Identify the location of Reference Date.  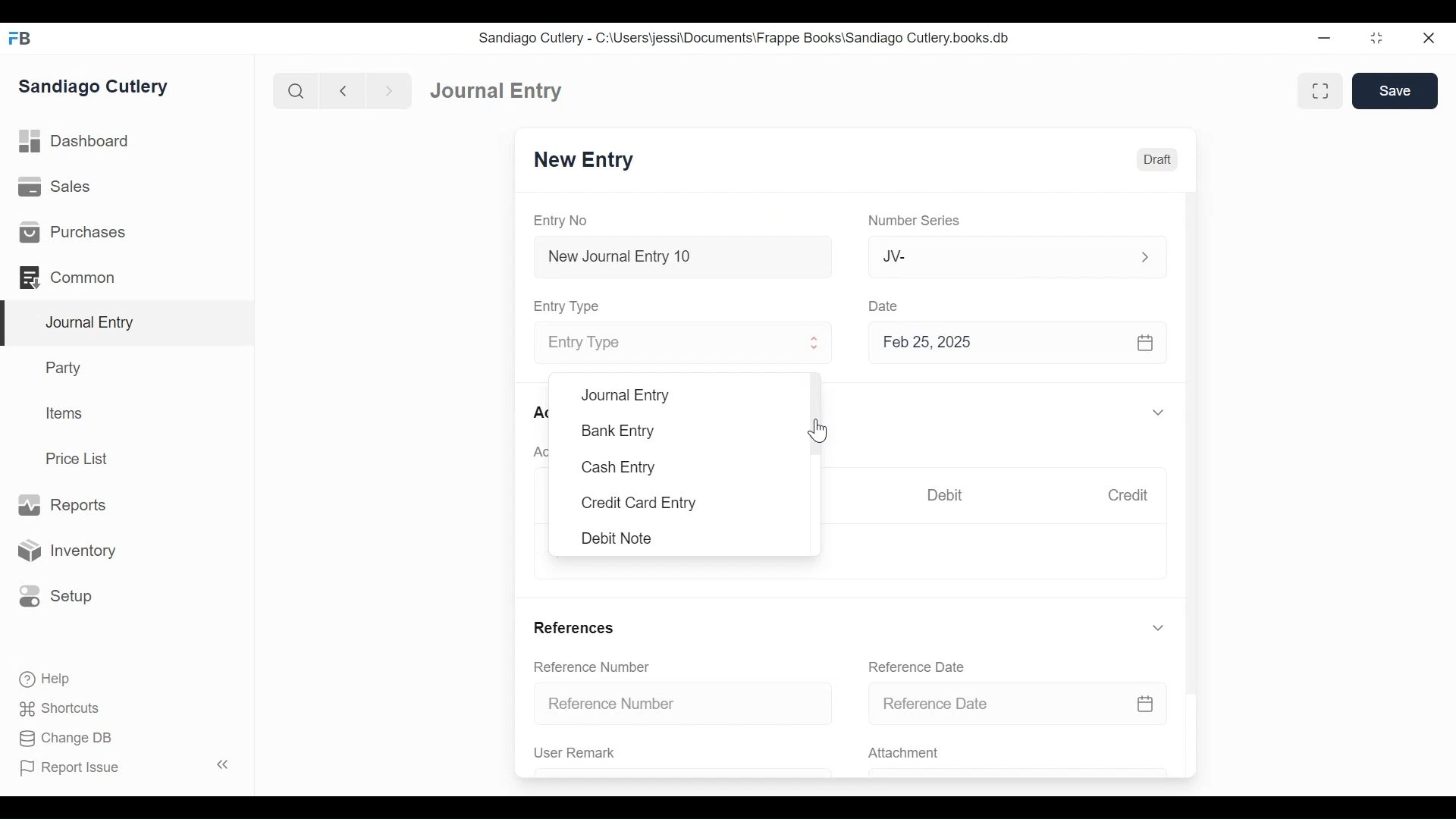
(1018, 704).